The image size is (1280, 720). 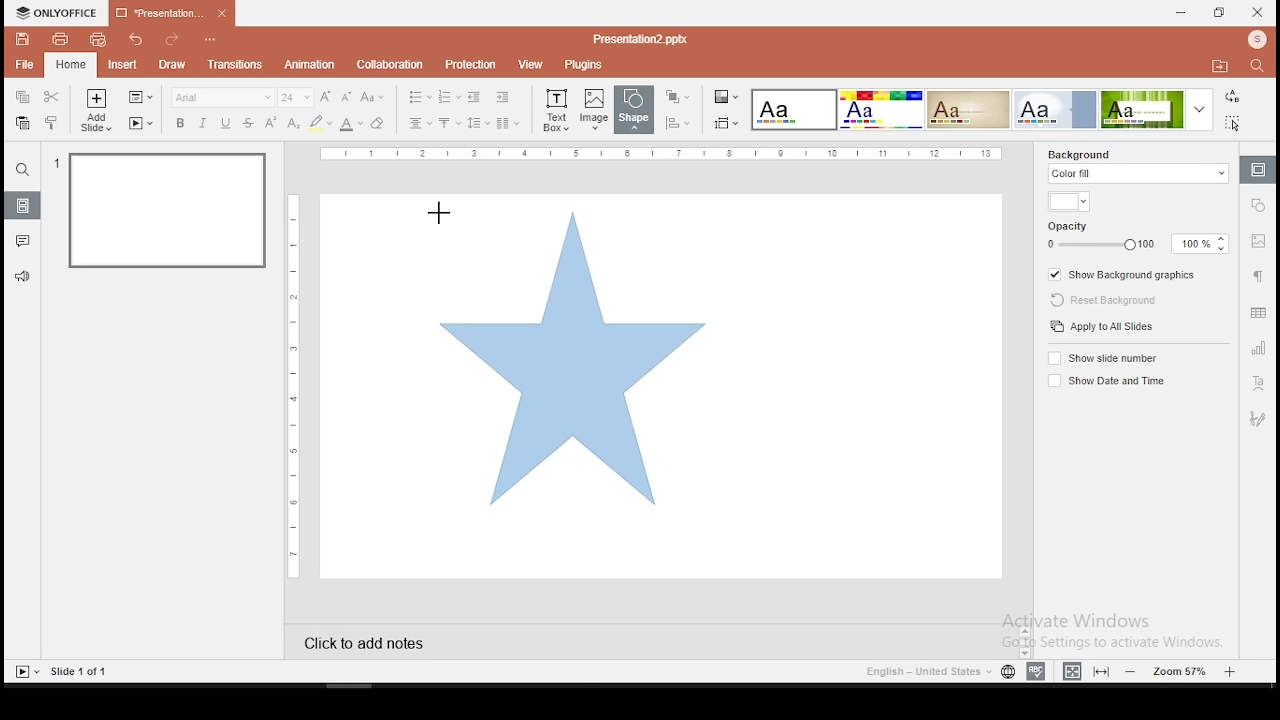 What do you see at coordinates (389, 64) in the screenshot?
I see `collaboration` at bounding box center [389, 64].